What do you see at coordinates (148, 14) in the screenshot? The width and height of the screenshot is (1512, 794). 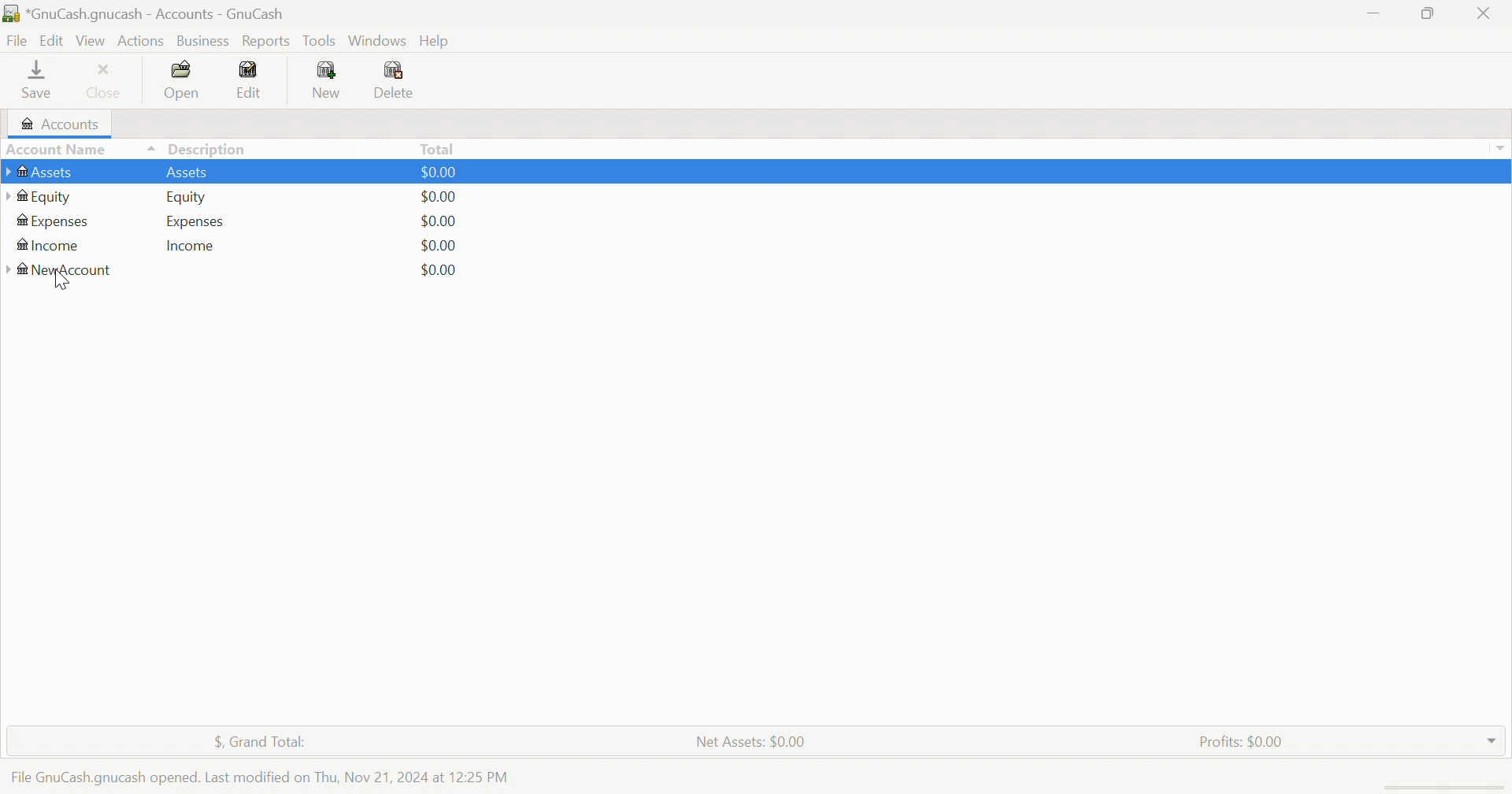 I see `*GnuCash.gnucash - Accounts -GnuCash` at bounding box center [148, 14].